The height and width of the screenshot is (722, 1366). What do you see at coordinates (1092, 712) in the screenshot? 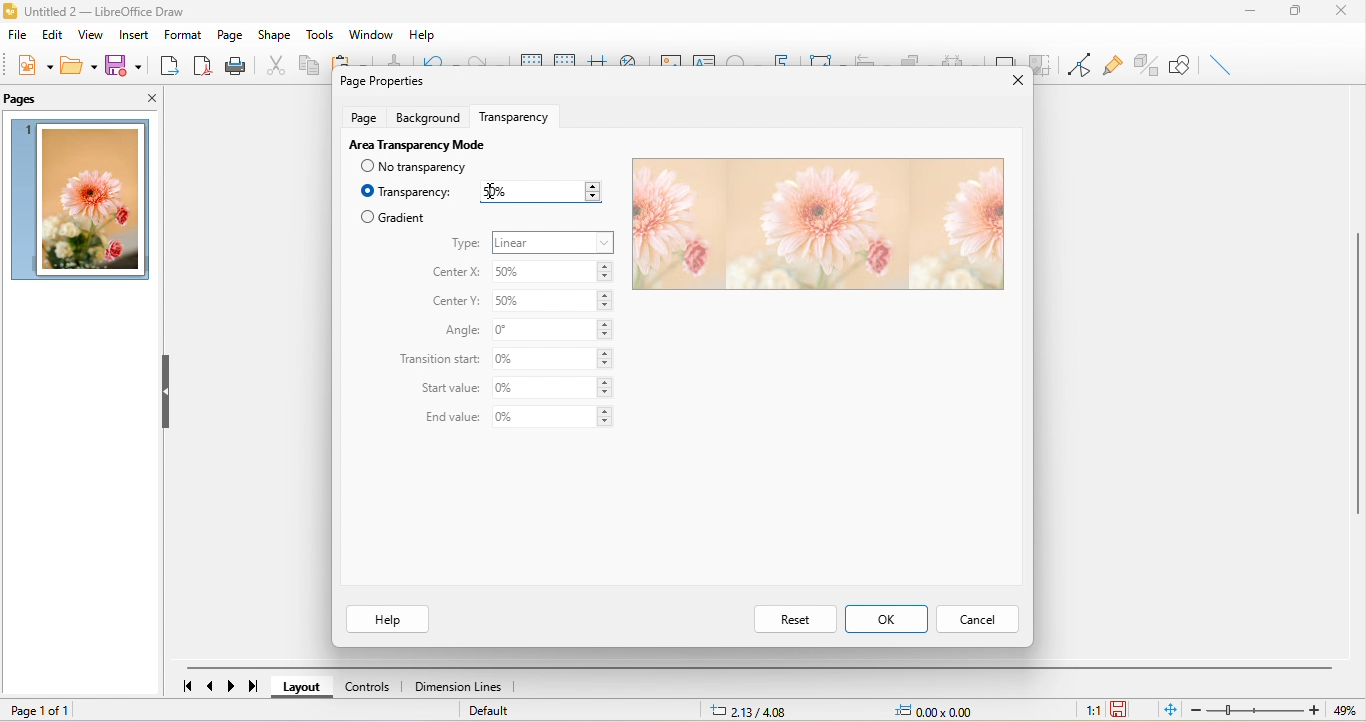
I see `1:1` at bounding box center [1092, 712].